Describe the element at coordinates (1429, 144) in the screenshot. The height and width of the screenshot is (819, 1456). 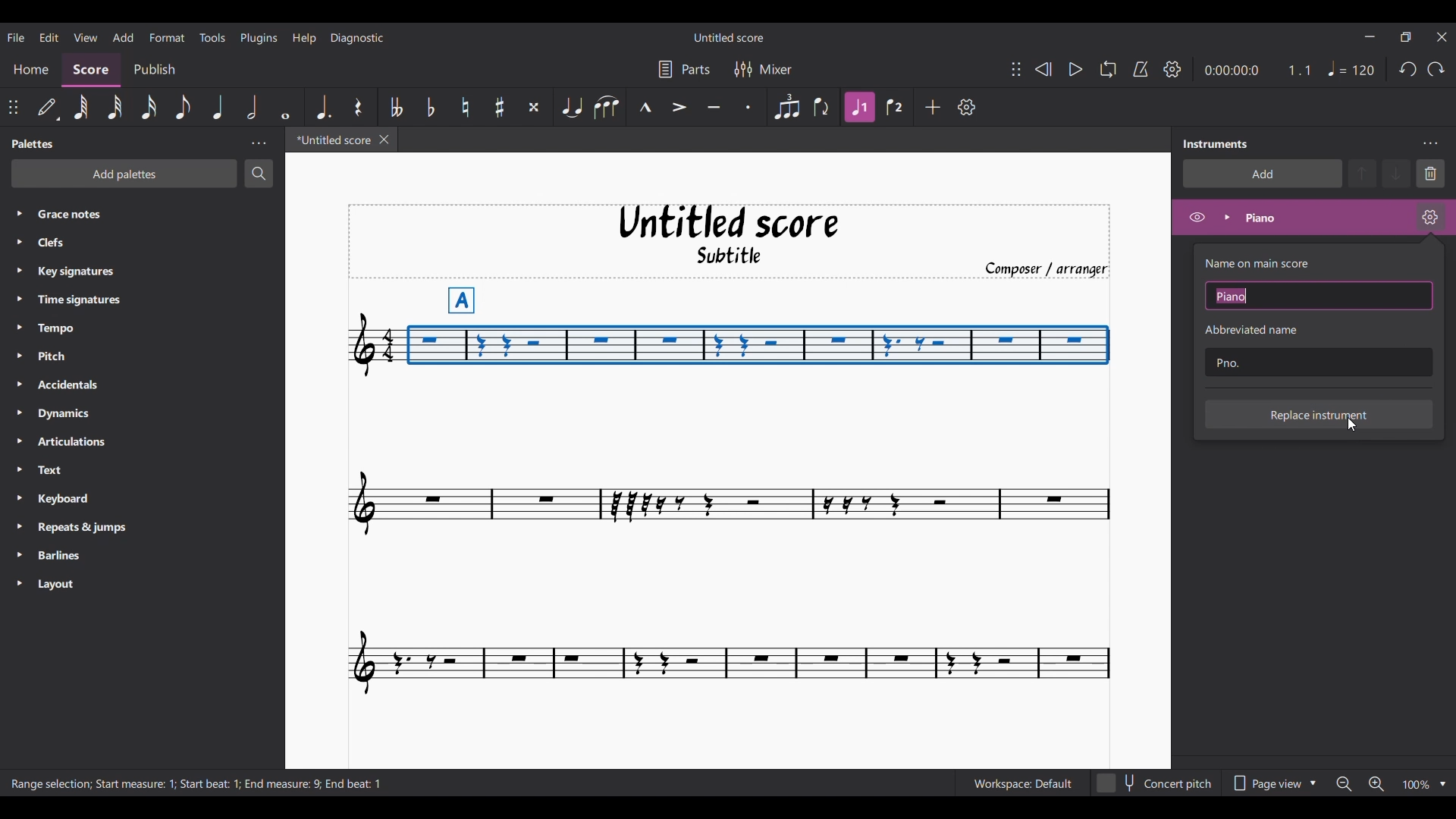
I see `Instrument settings` at that location.